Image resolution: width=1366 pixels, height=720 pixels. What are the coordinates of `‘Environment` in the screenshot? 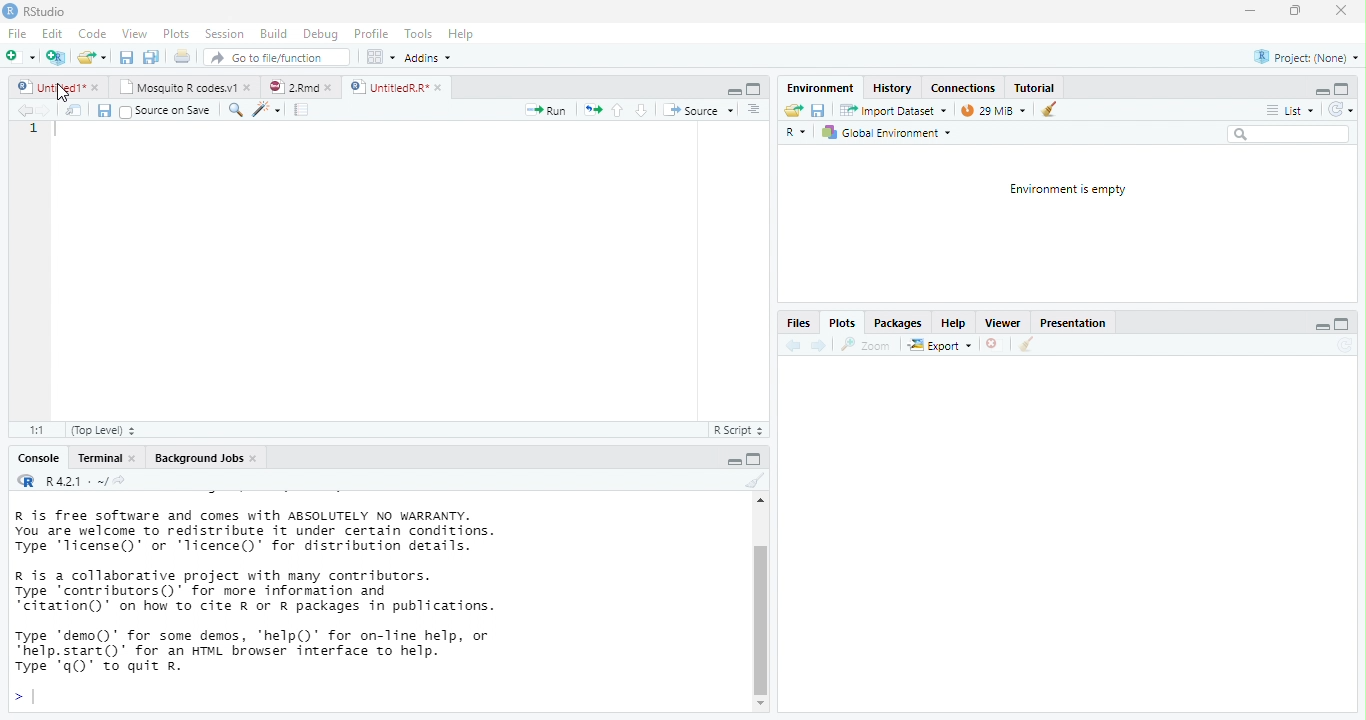 It's located at (819, 88).